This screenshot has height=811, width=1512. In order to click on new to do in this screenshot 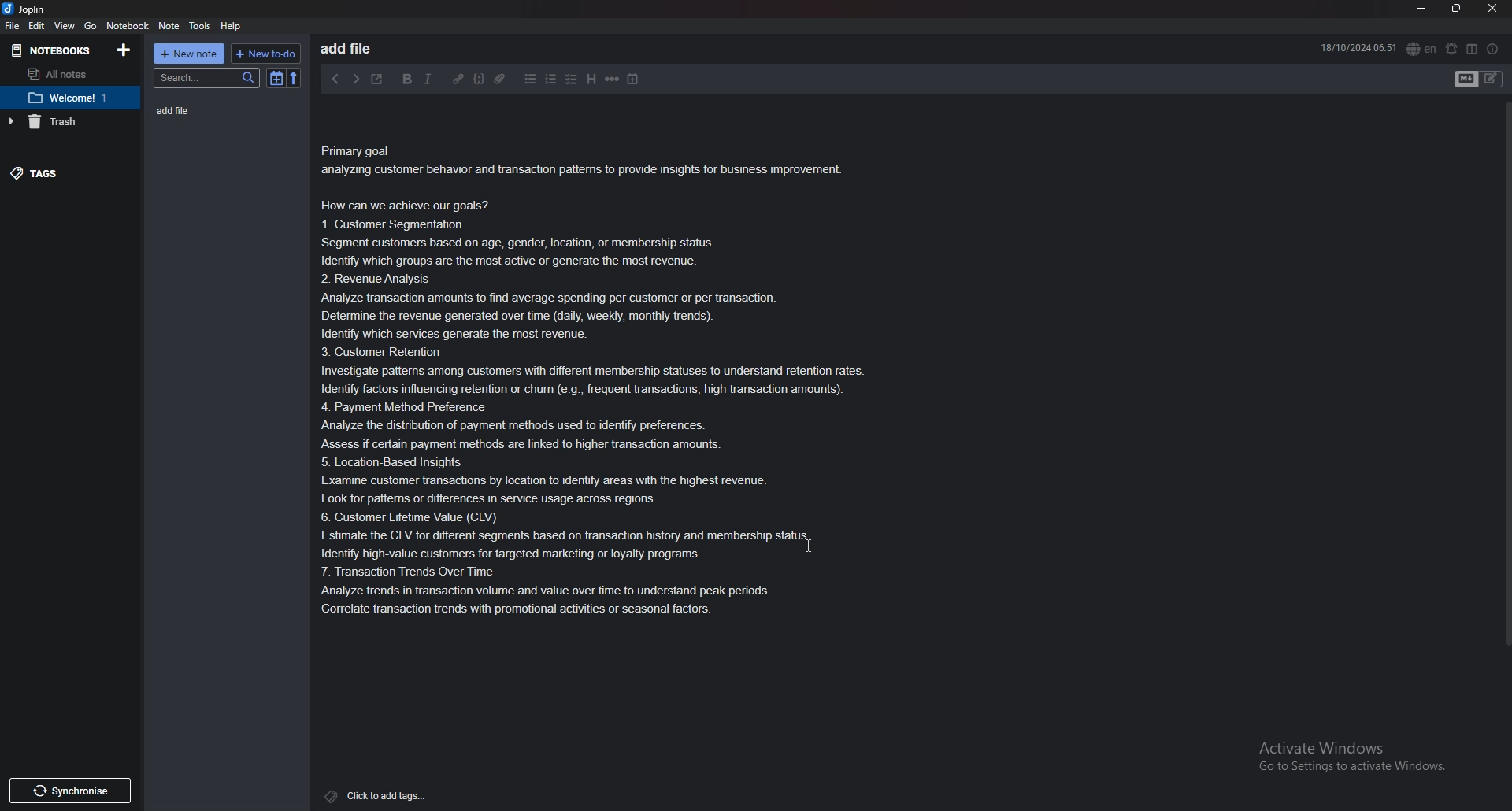, I will do `click(268, 54)`.